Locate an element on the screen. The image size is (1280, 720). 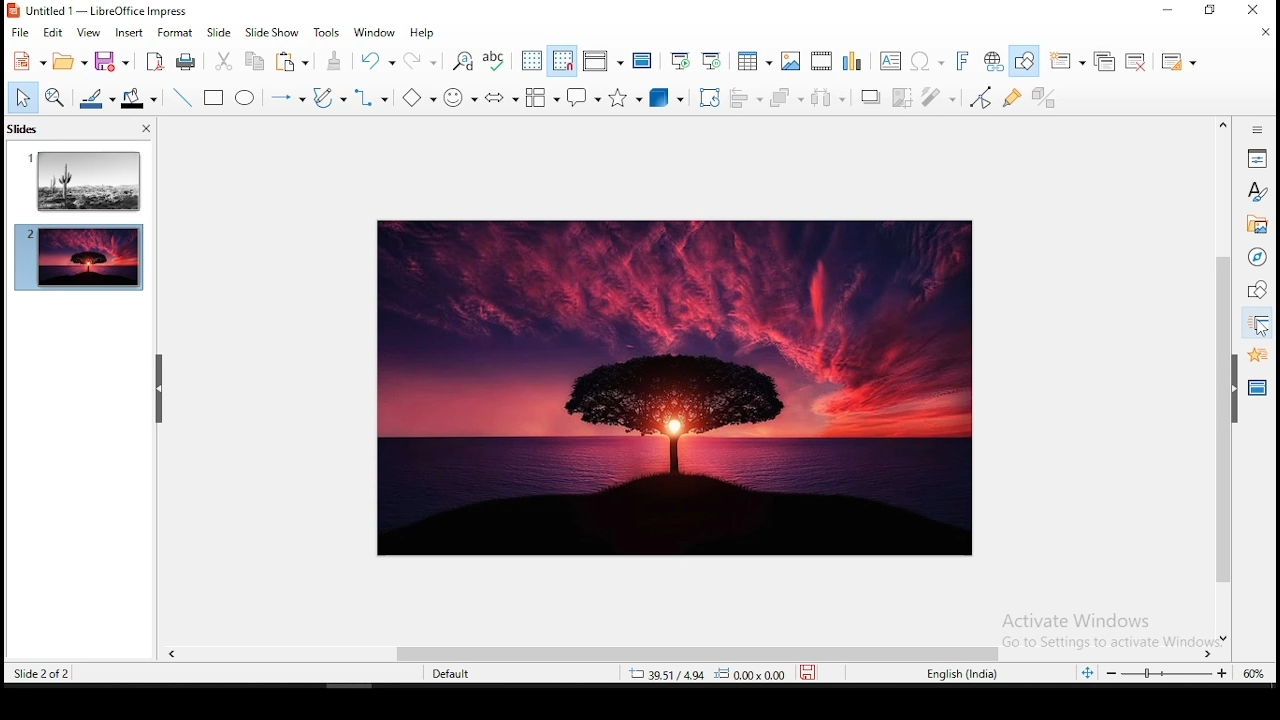
scroll bar is located at coordinates (683, 654).